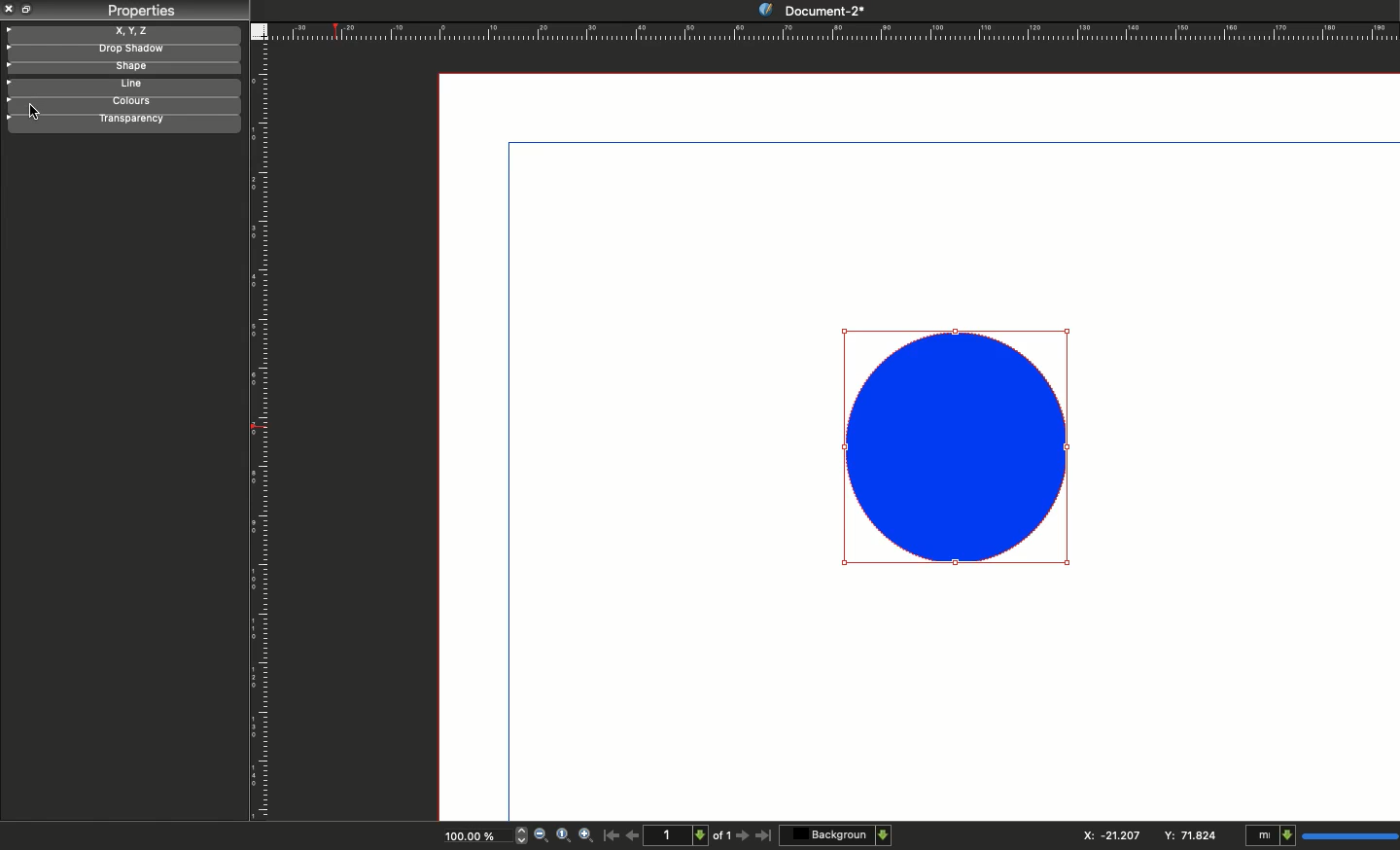 The width and height of the screenshot is (1400, 850). What do you see at coordinates (121, 51) in the screenshot?
I see `Drop shadow` at bounding box center [121, 51].